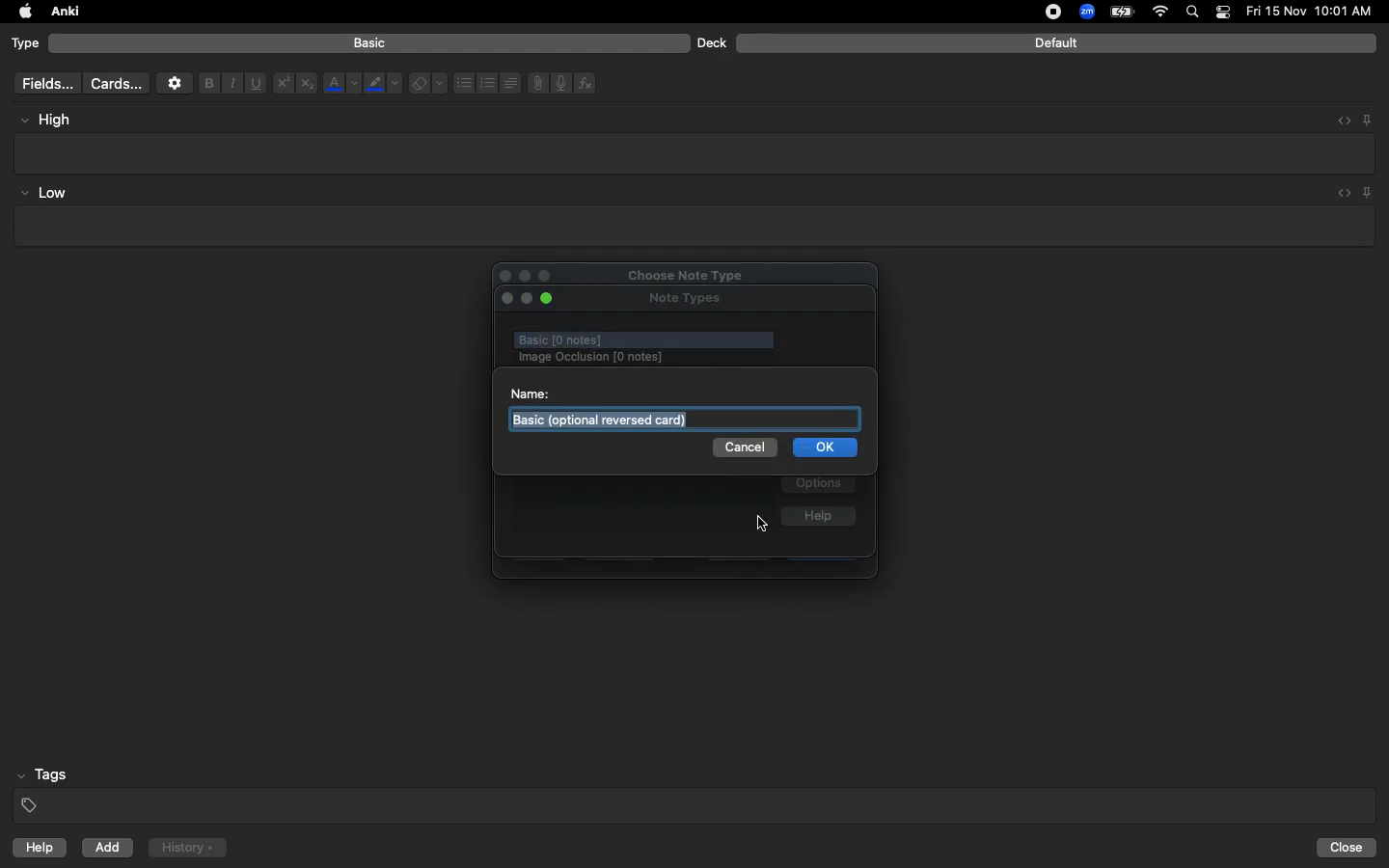 This screenshot has width=1389, height=868. What do you see at coordinates (230, 84) in the screenshot?
I see `Italics` at bounding box center [230, 84].